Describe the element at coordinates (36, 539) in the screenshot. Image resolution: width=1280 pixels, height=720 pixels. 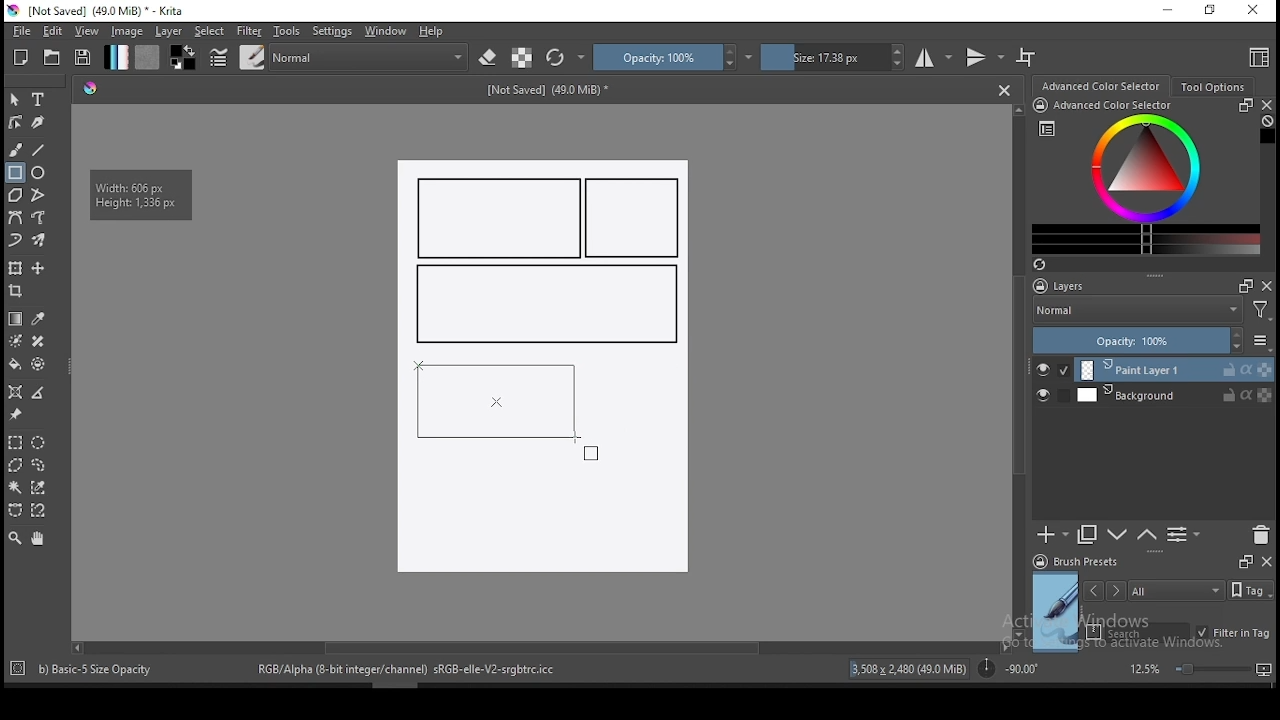
I see `pan tool` at that location.